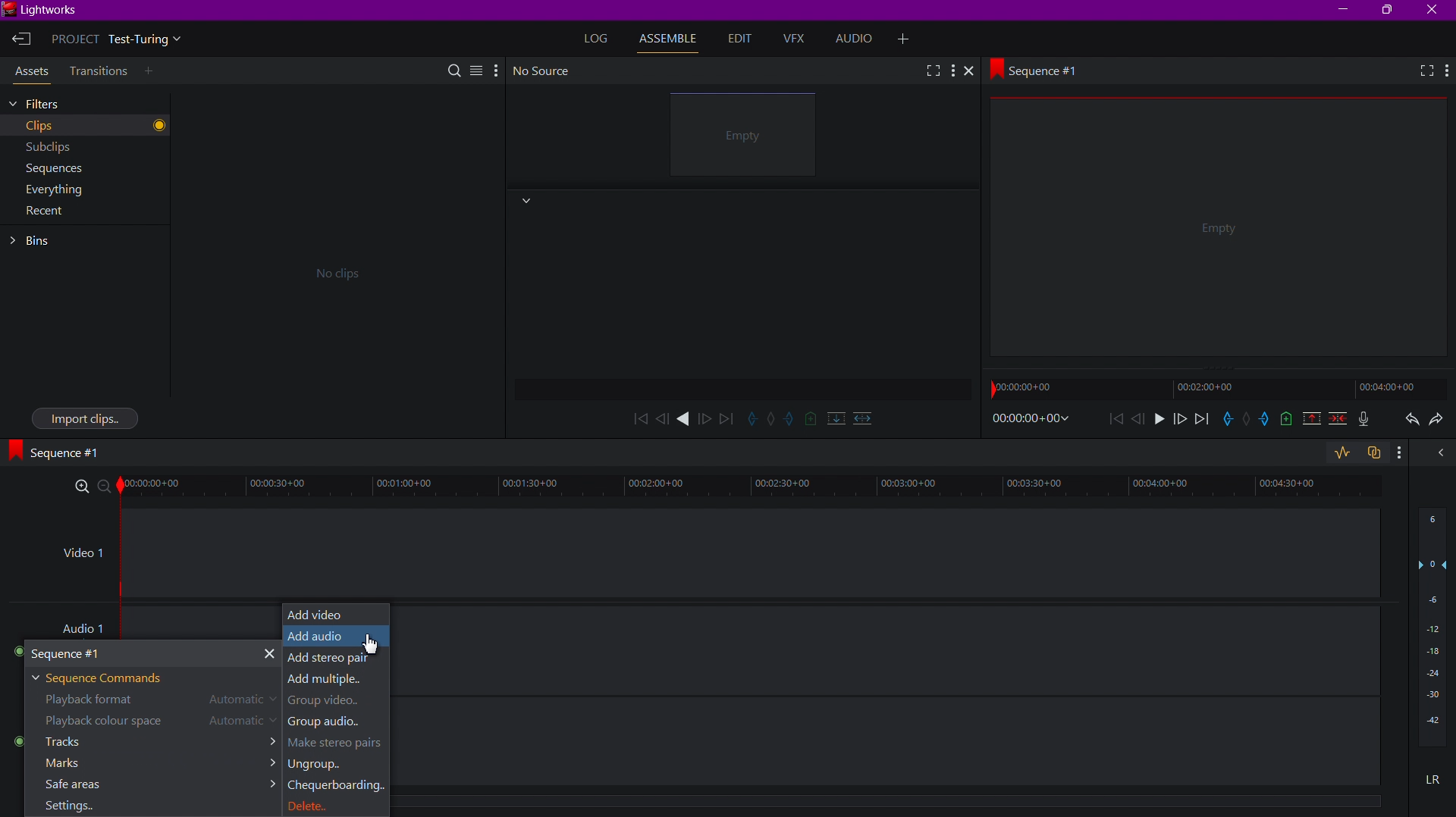 The height and width of the screenshot is (817, 1456). What do you see at coordinates (21, 40) in the screenshot?
I see `Exit` at bounding box center [21, 40].